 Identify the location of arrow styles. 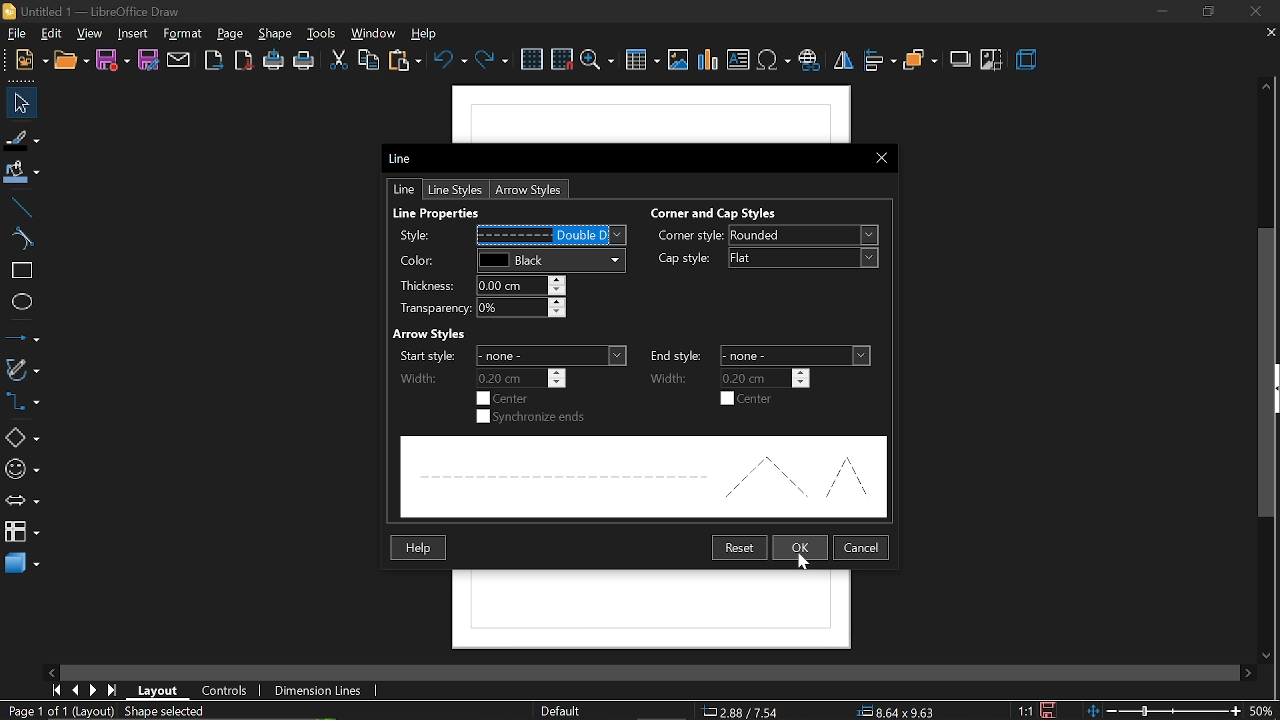
(527, 190).